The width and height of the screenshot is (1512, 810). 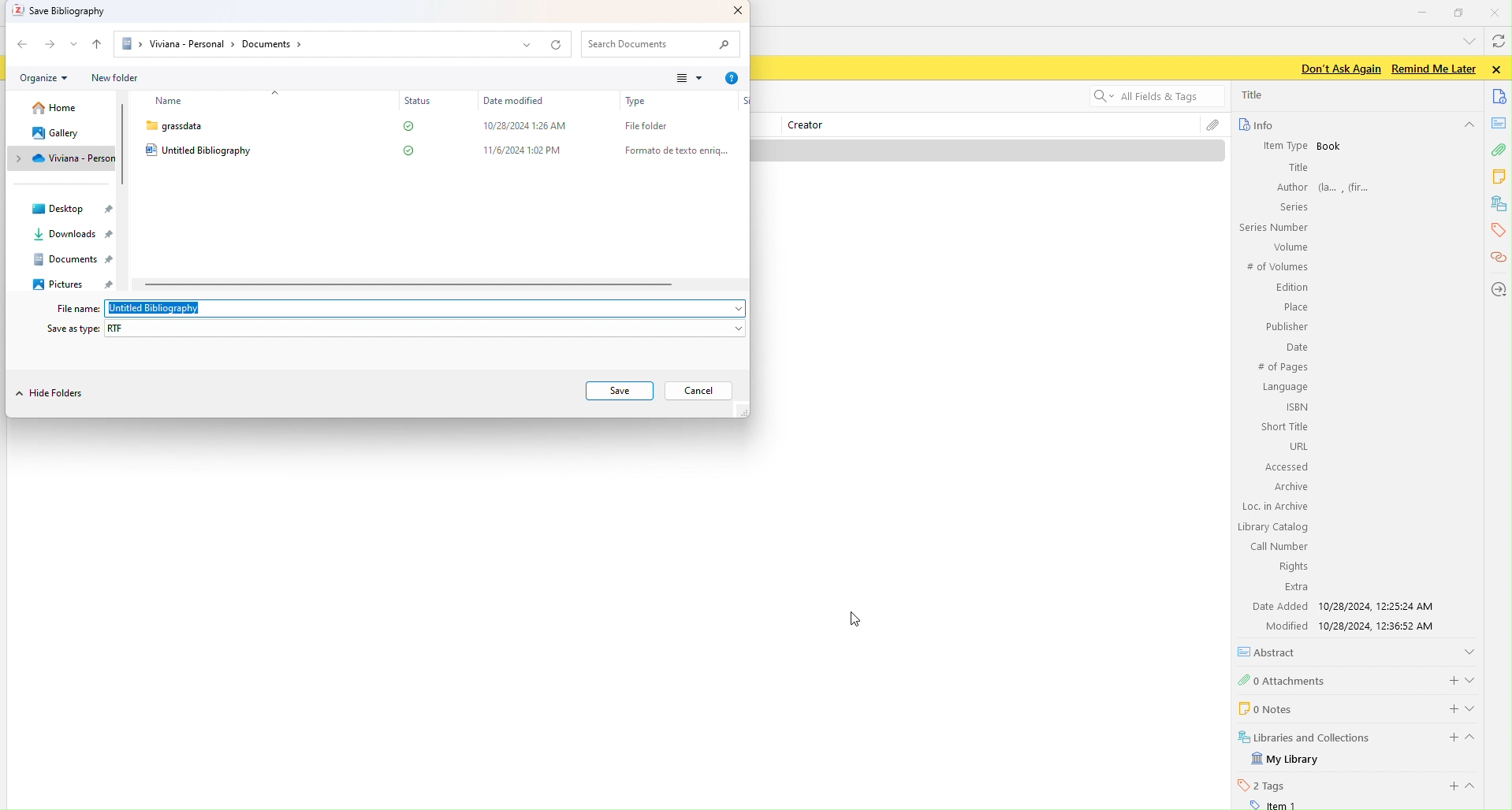 I want to click on Title, so click(x=1297, y=168).